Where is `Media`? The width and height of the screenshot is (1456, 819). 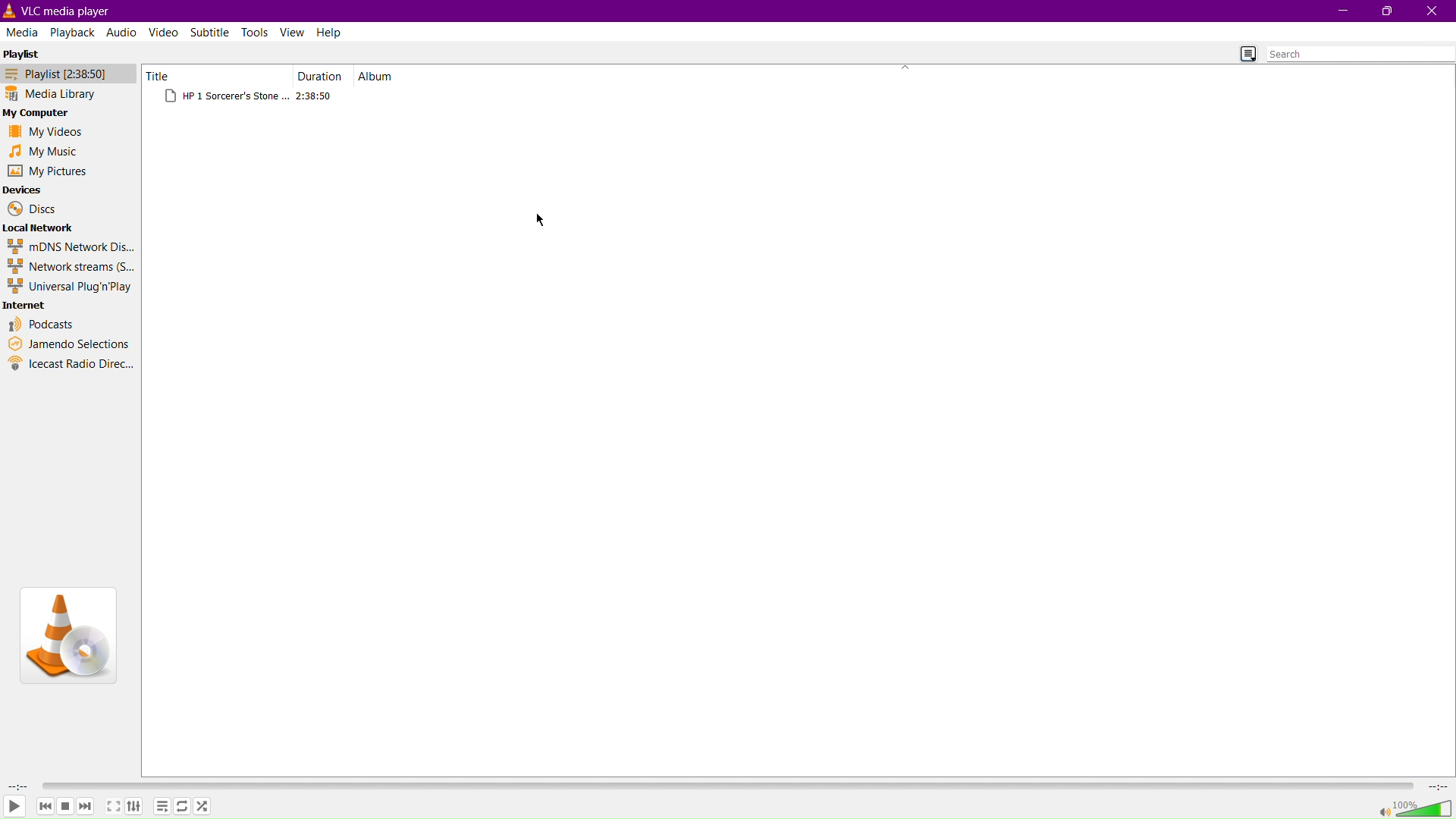 Media is located at coordinates (23, 31).